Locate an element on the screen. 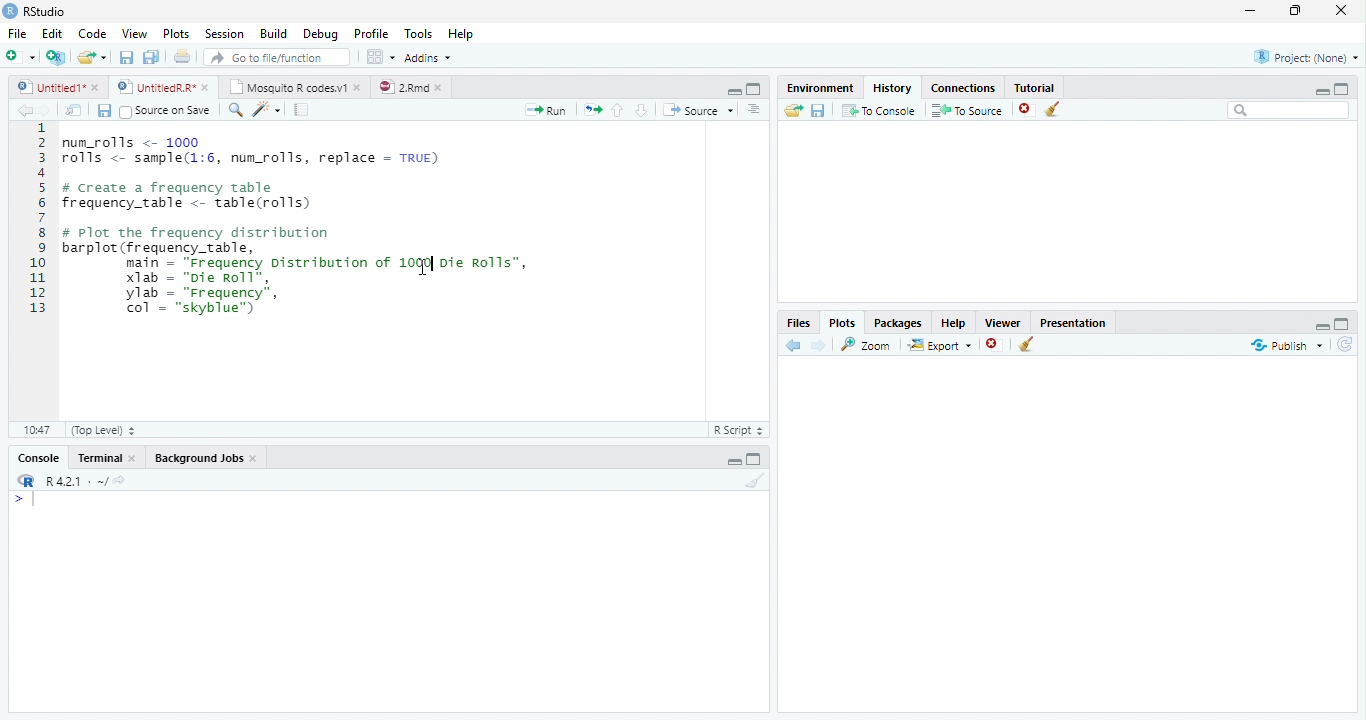 This screenshot has height=720, width=1366. Previous Source Location is located at coordinates (22, 110).